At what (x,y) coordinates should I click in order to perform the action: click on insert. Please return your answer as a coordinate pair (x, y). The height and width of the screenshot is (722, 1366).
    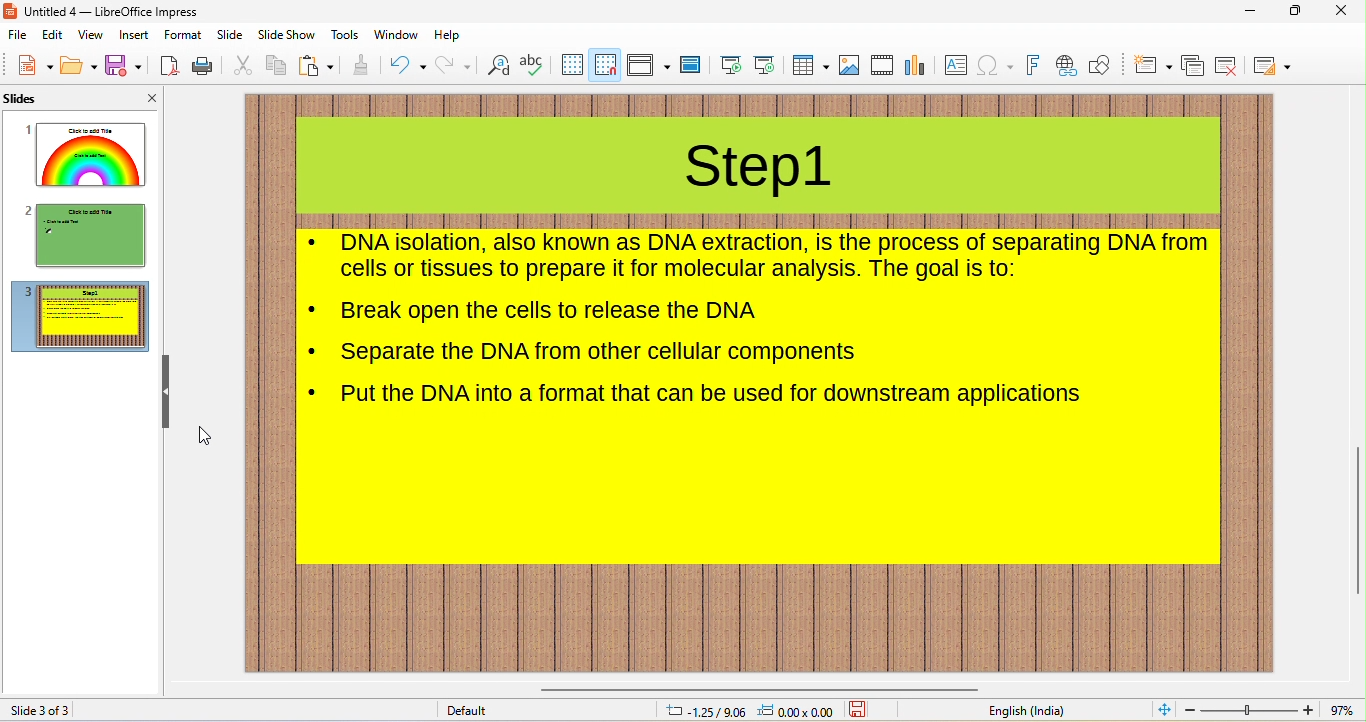
    Looking at the image, I should click on (135, 36).